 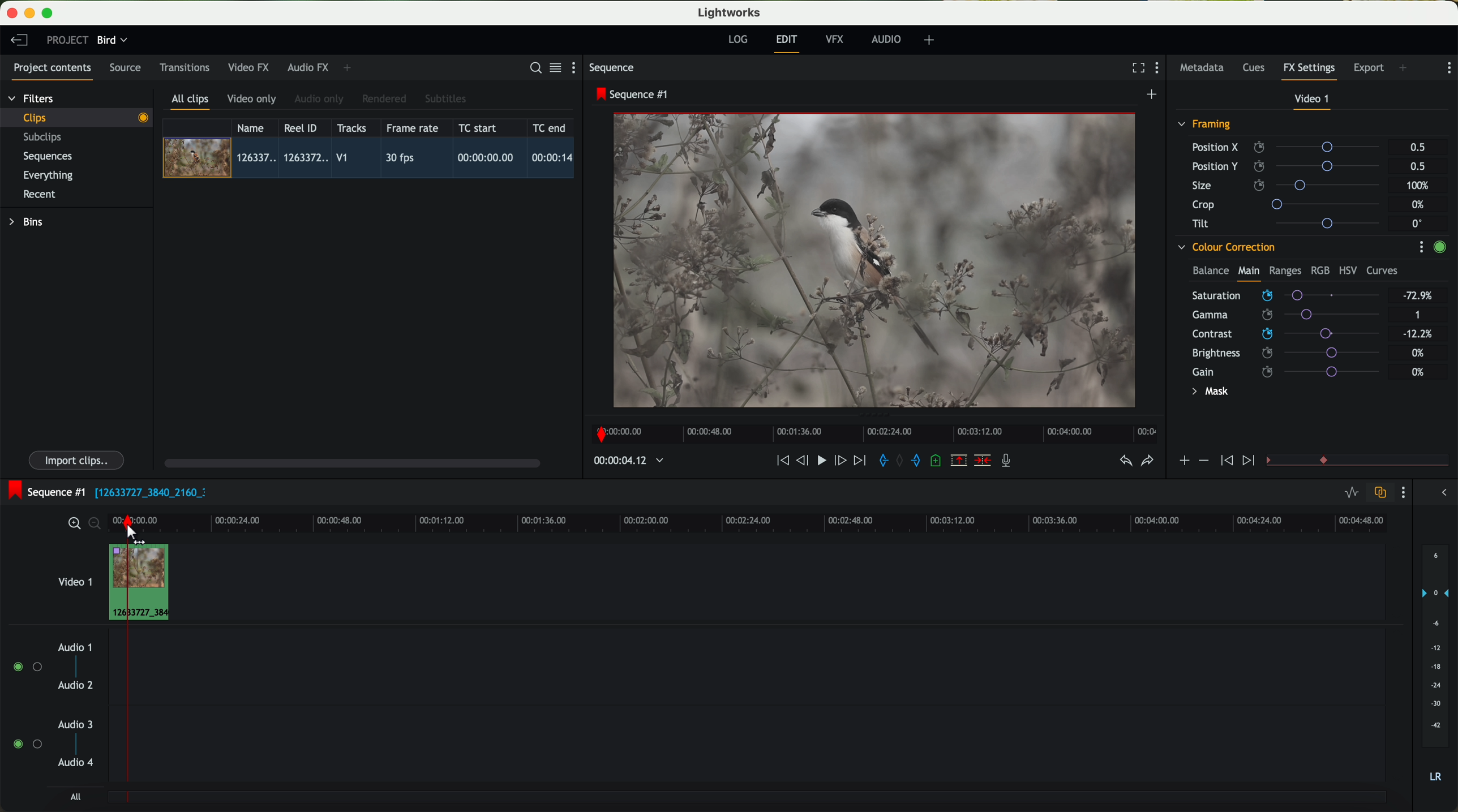 I want to click on video FX, so click(x=251, y=67).